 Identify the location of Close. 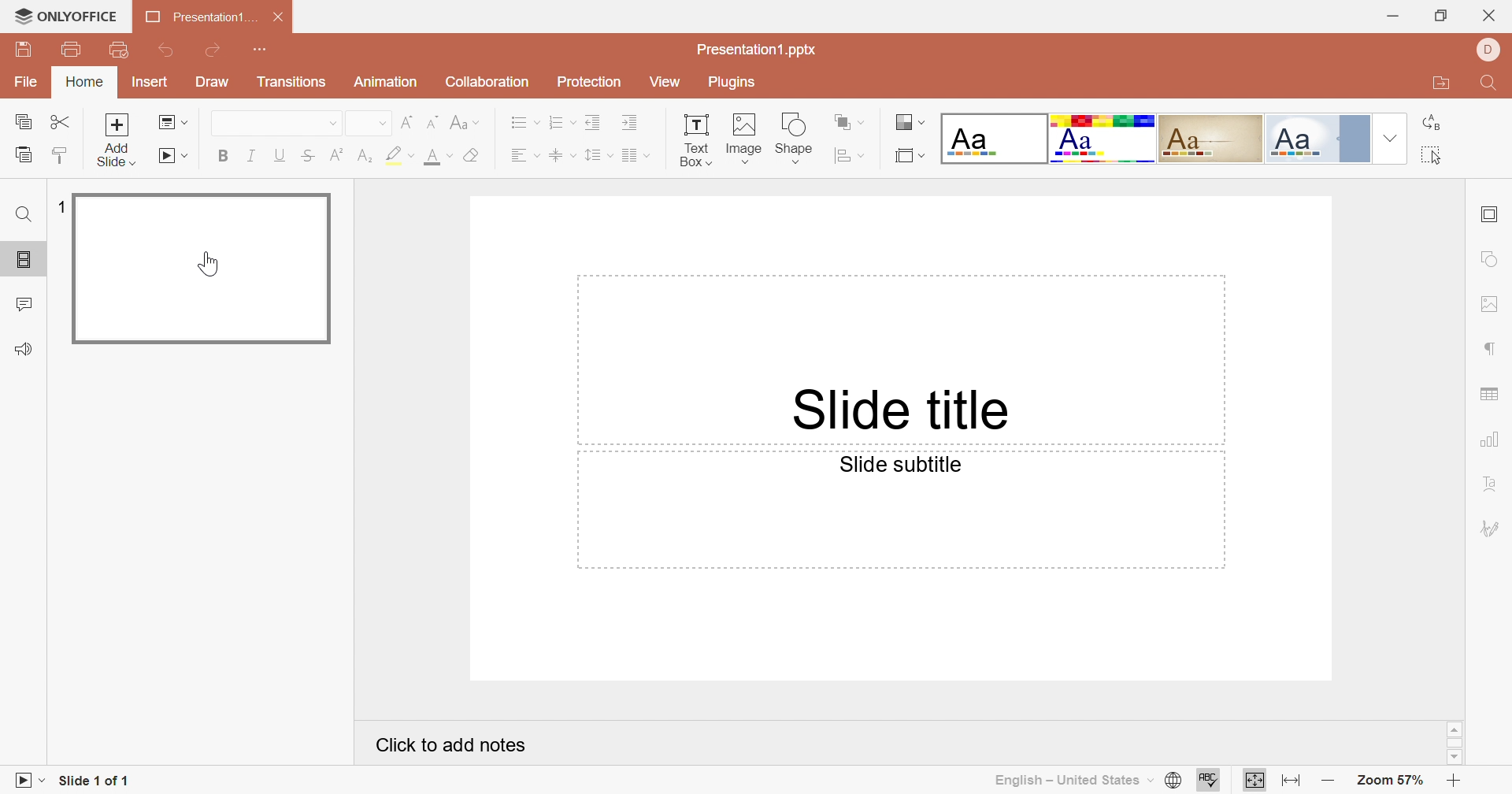
(1489, 15).